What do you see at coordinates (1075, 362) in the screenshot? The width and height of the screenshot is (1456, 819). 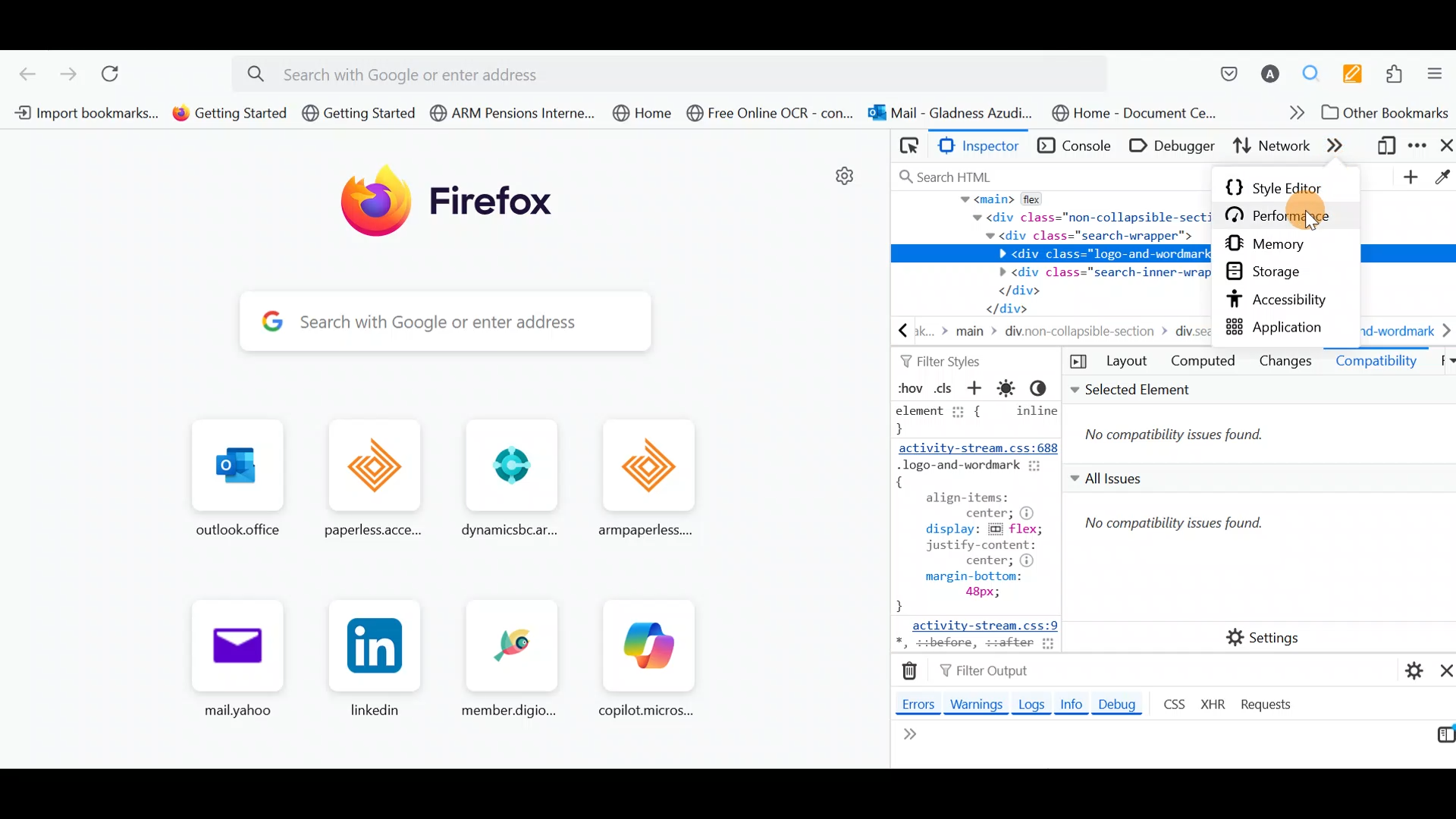 I see `Toggle off the 3 pane inspector` at bounding box center [1075, 362].